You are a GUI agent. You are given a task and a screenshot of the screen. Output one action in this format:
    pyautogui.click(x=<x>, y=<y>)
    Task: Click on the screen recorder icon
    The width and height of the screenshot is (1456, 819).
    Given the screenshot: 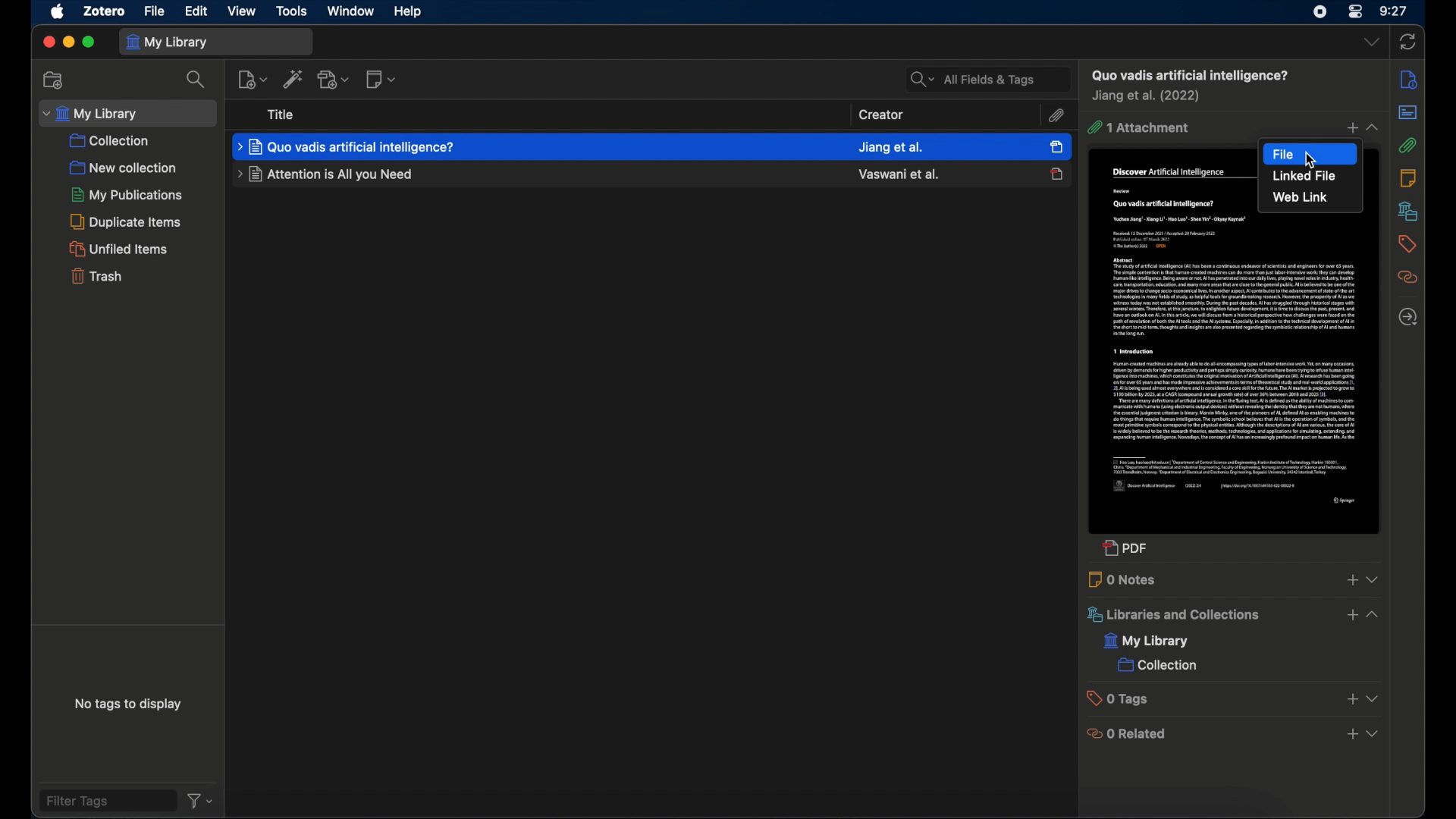 What is the action you would take?
    pyautogui.click(x=1316, y=12)
    